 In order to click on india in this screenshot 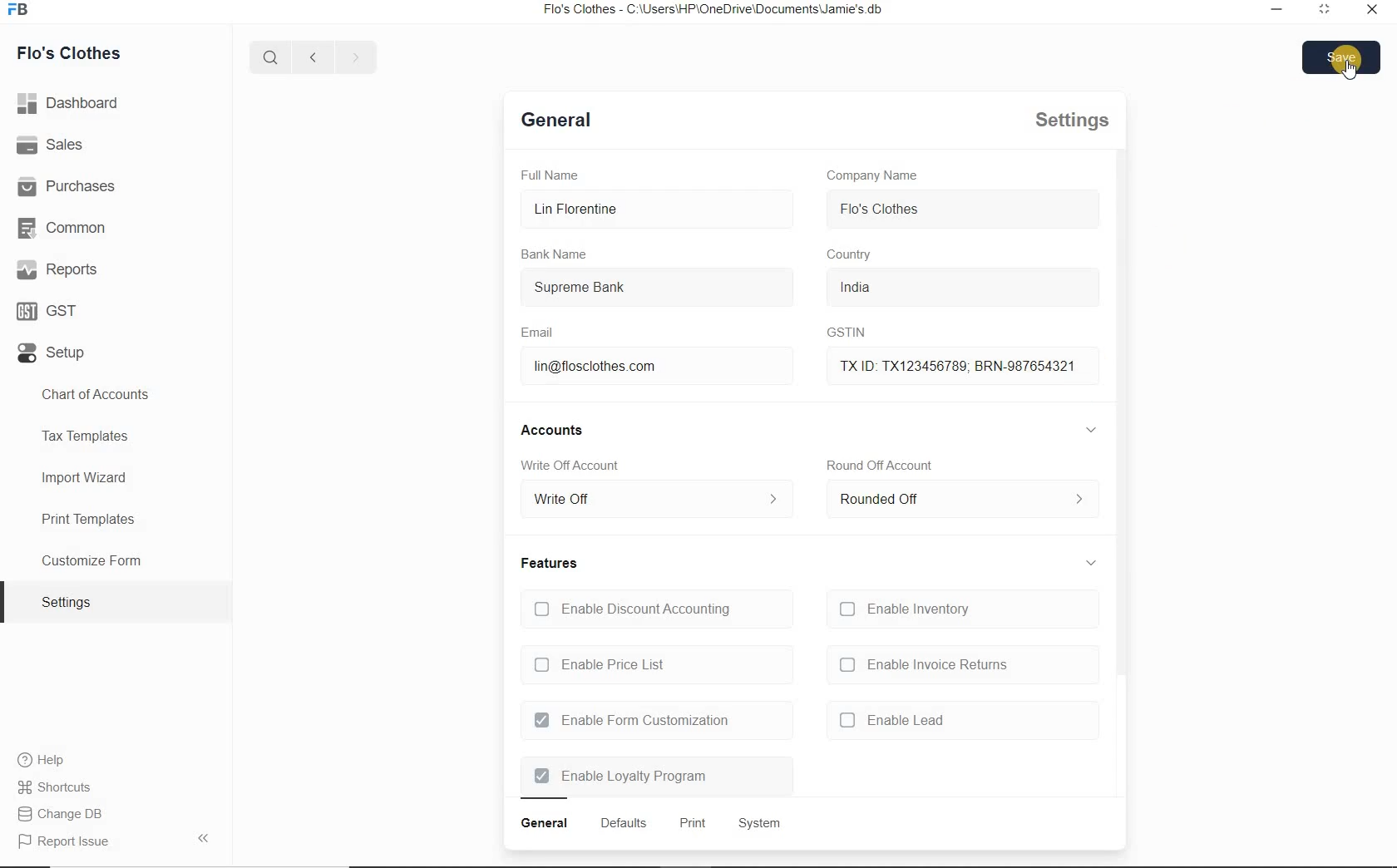, I will do `click(877, 287)`.